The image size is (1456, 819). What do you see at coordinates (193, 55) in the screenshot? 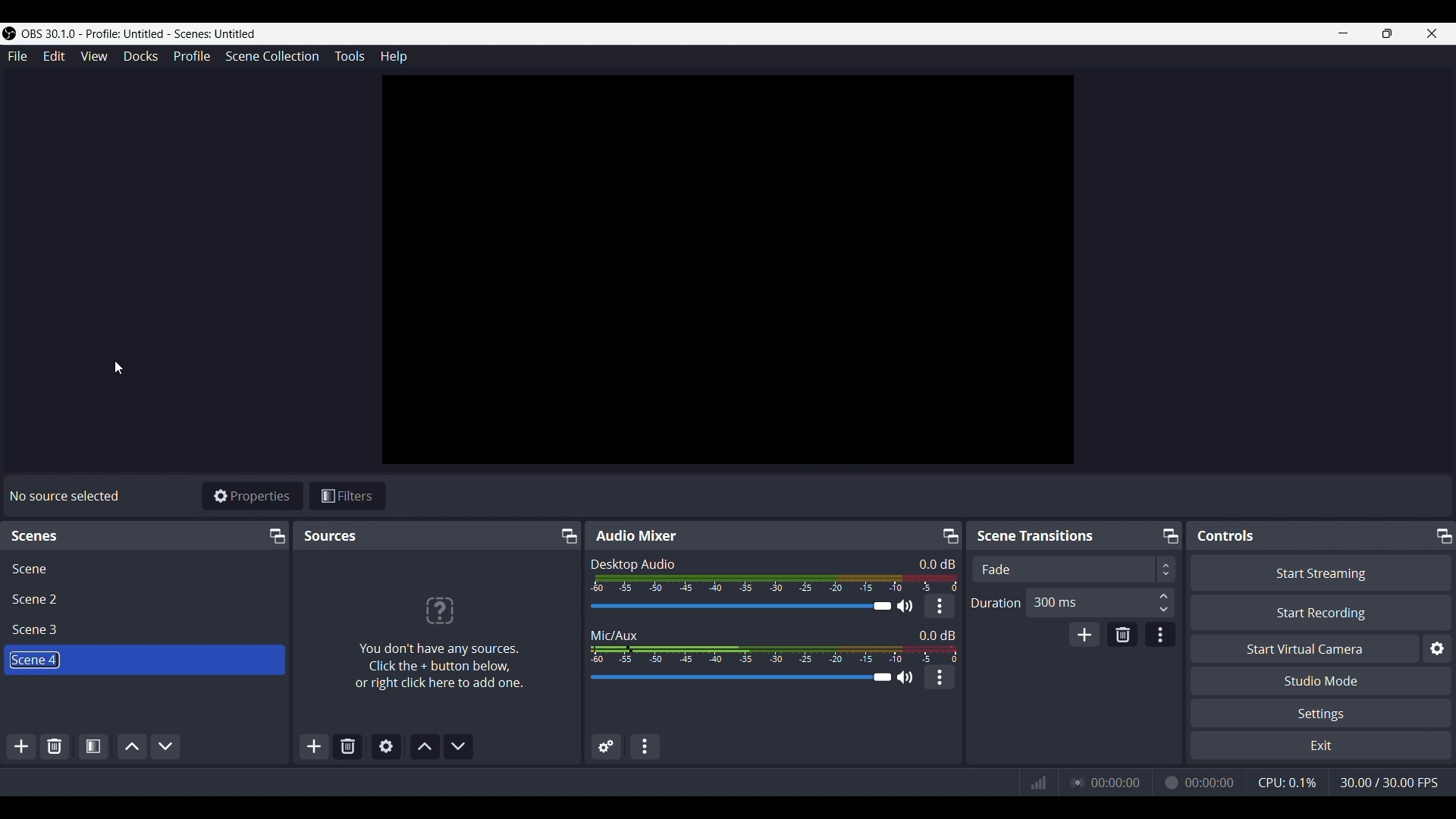
I see `Profile` at bounding box center [193, 55].